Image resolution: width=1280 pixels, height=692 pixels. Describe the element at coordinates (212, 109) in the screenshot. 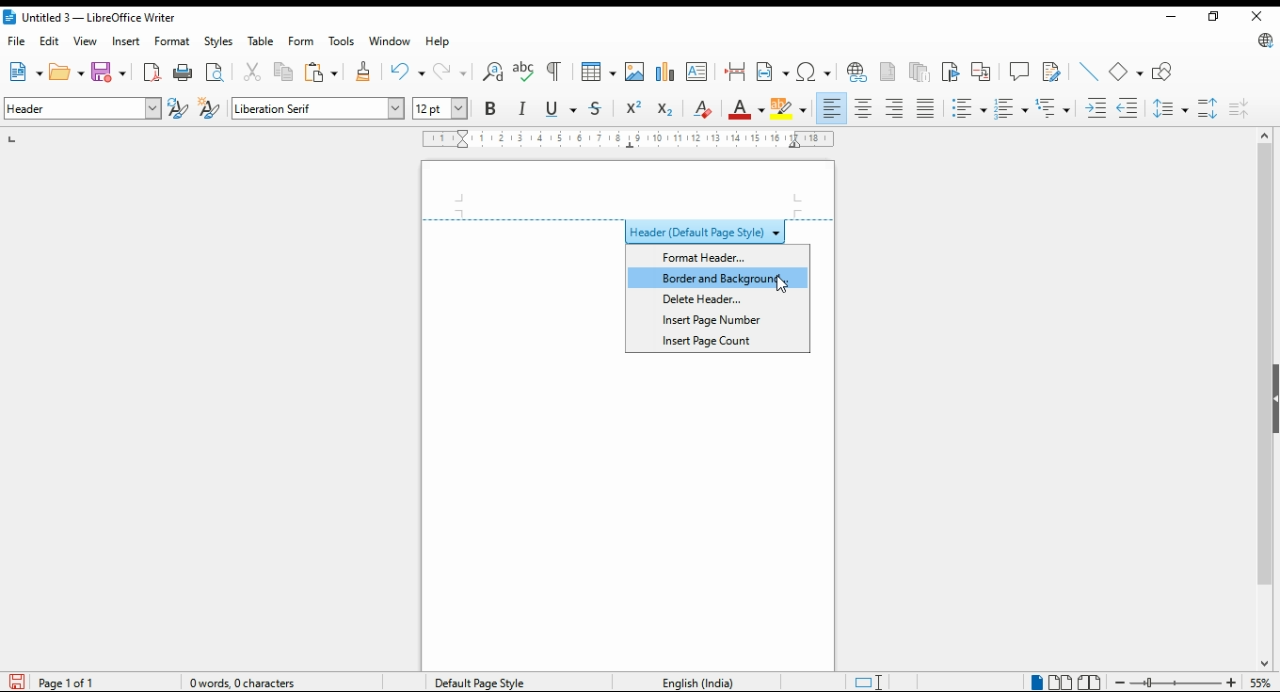

I see `new style from selection` at that location.